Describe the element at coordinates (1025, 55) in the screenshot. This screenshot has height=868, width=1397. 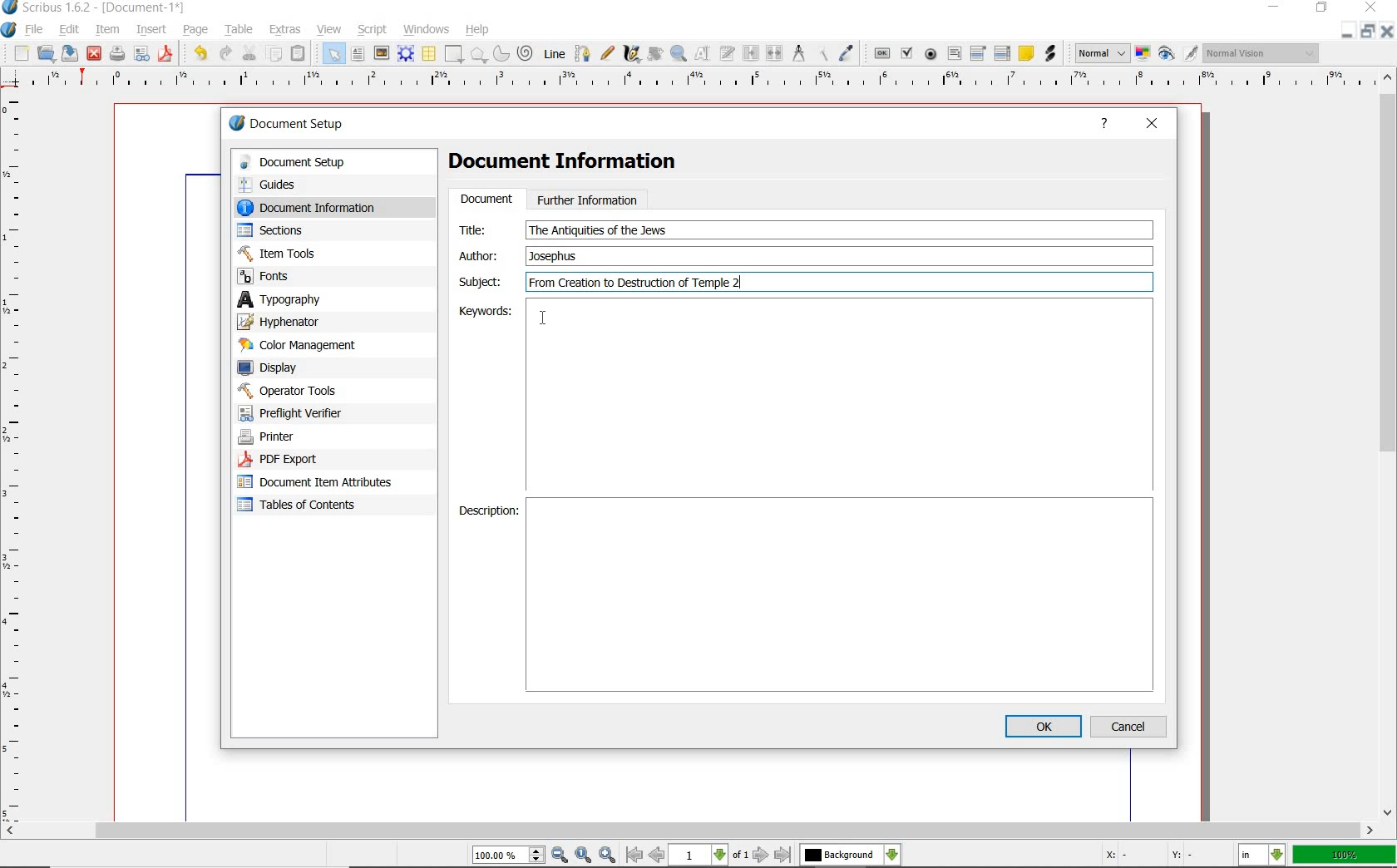
I see `text annotation` at that location.